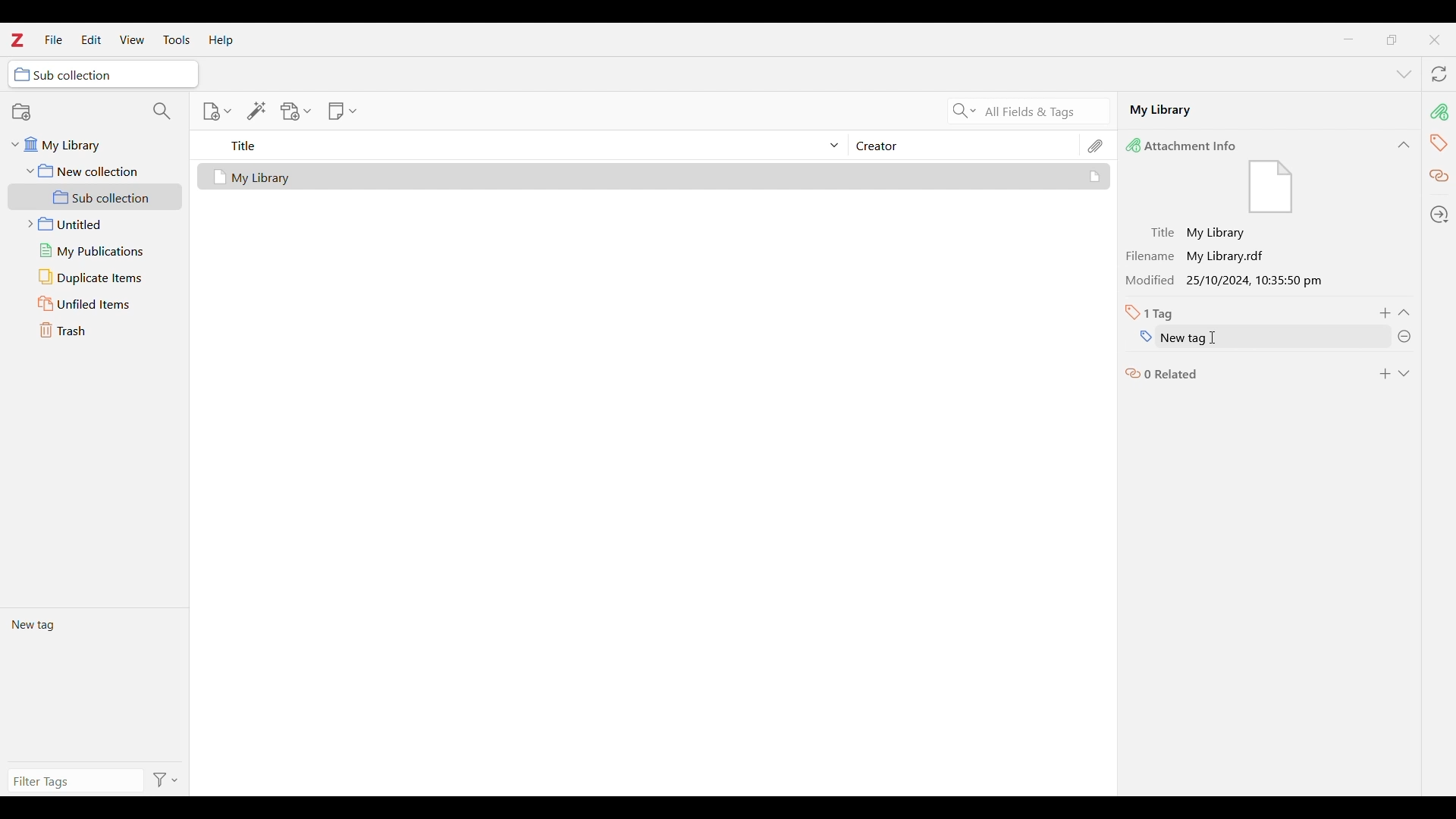 The width and height of the screenshot is (1456, 819). What do you see at coordinates (528, 145) in the screenshot?
I see `Sort title column` at bounding box center [528, 145].